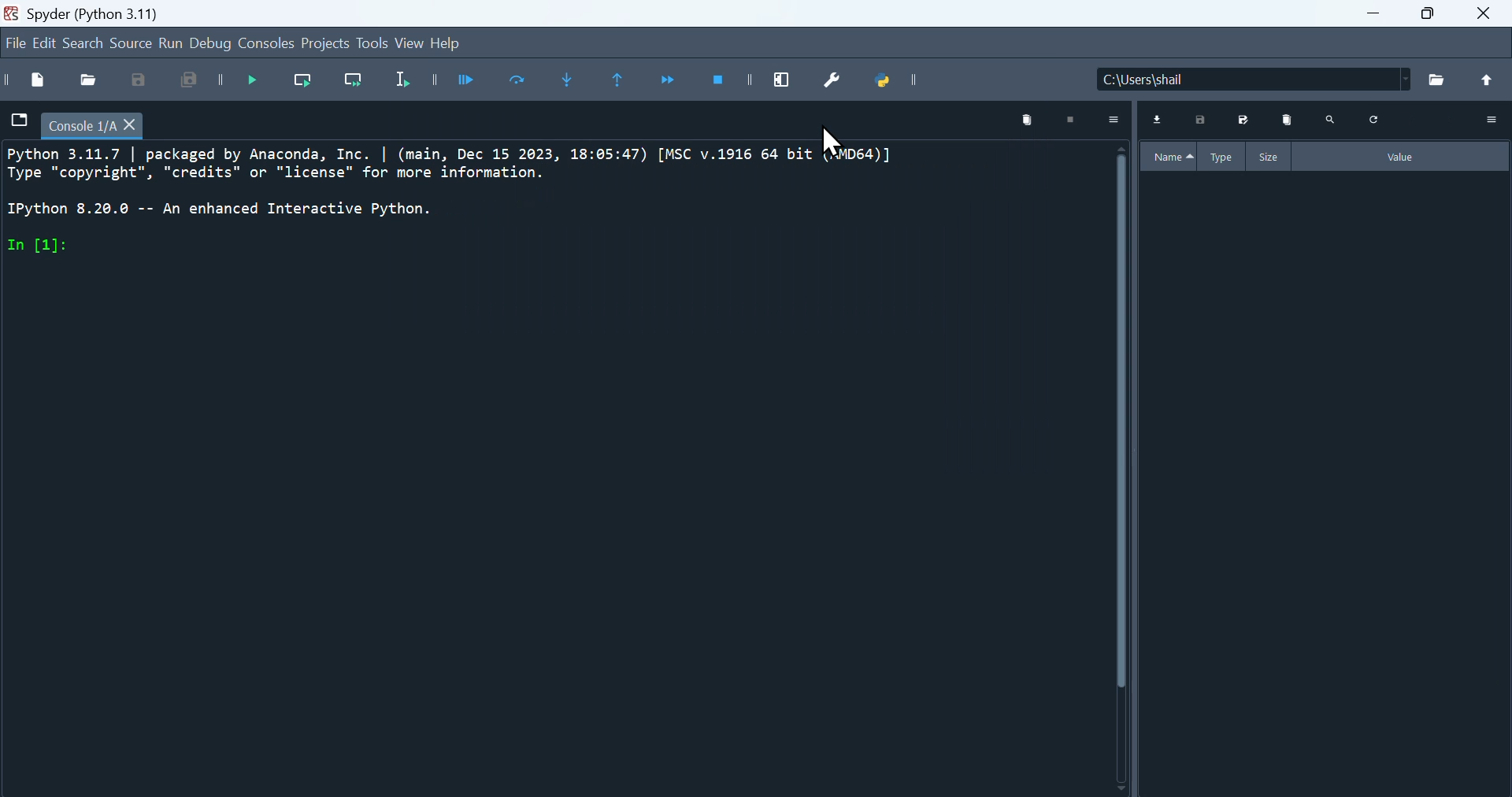 Image resolution: width=1512 pixels, height=797 pixels. I want to click on open file, so click(89, 78).